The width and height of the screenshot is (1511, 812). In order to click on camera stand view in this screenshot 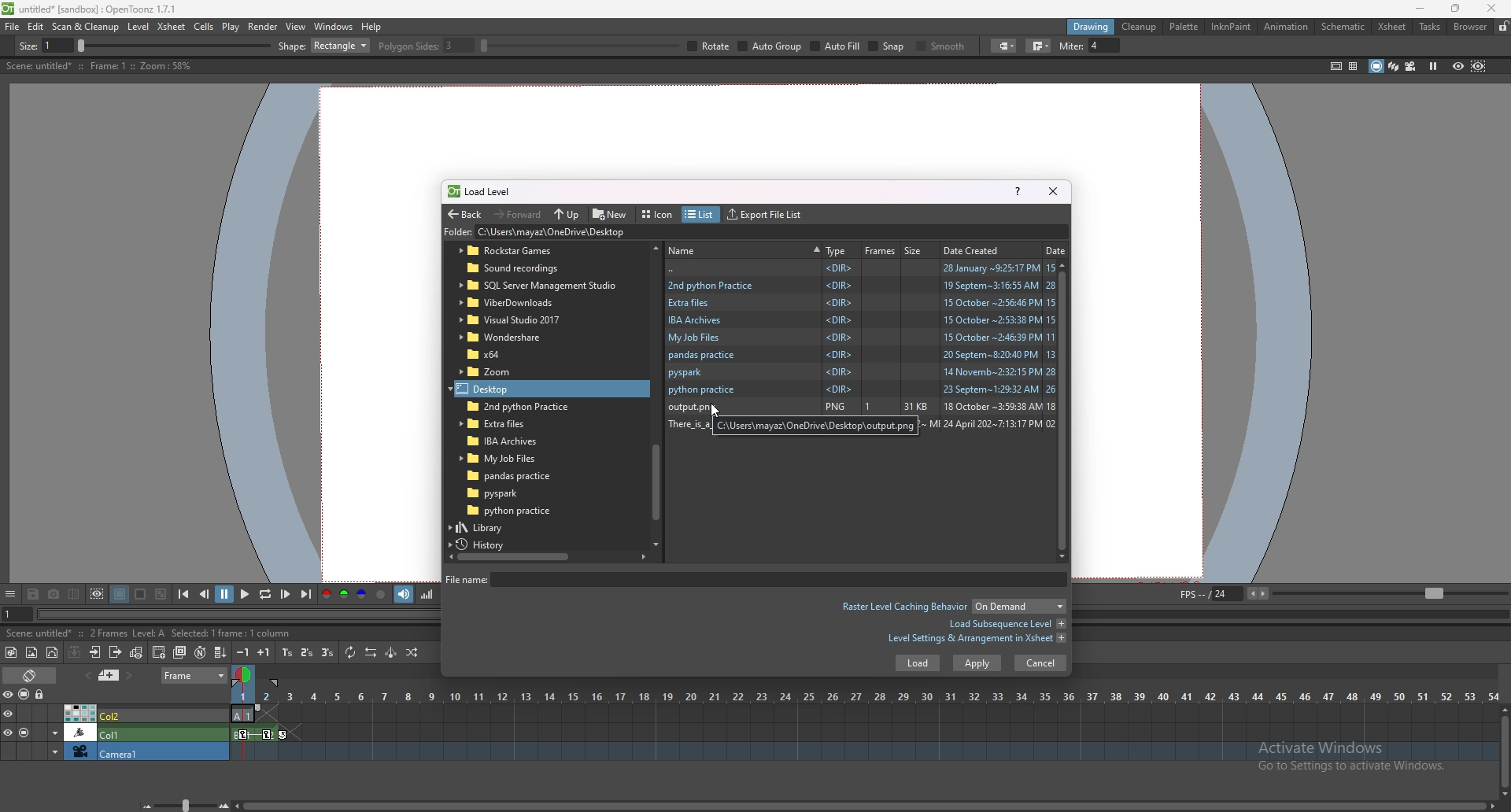, I will do `click(1375, 66)`.